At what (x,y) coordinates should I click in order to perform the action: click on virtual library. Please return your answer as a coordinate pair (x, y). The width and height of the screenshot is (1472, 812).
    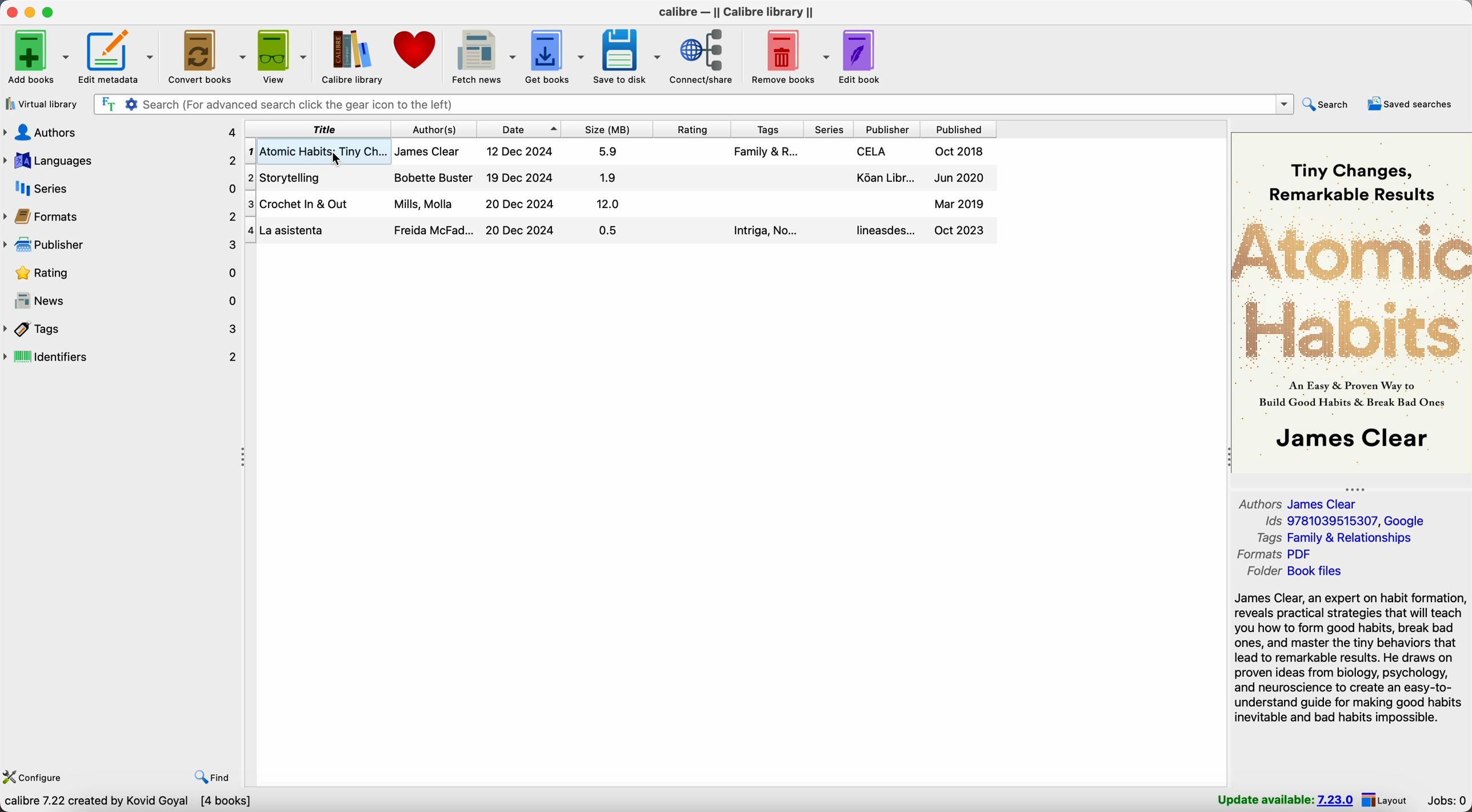
    Looking at the image, I should click on (41, 105).